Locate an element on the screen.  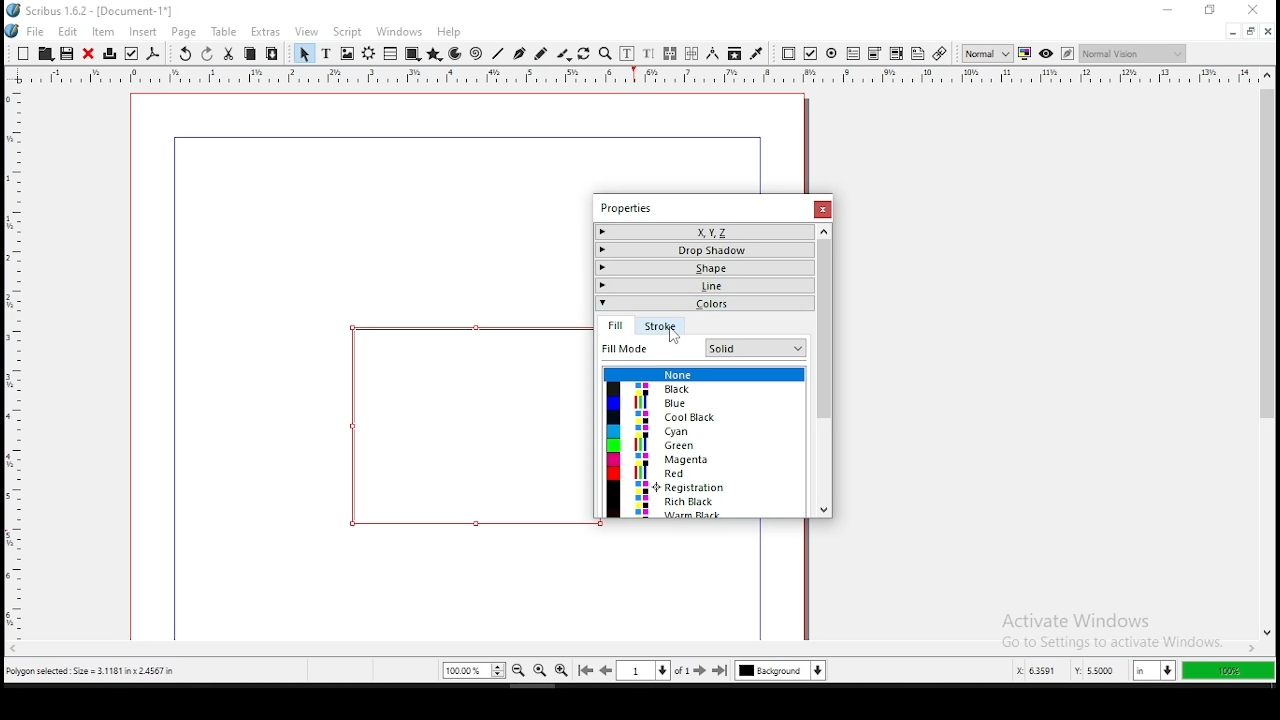
x,y,z is located at coordinates (704, 233).